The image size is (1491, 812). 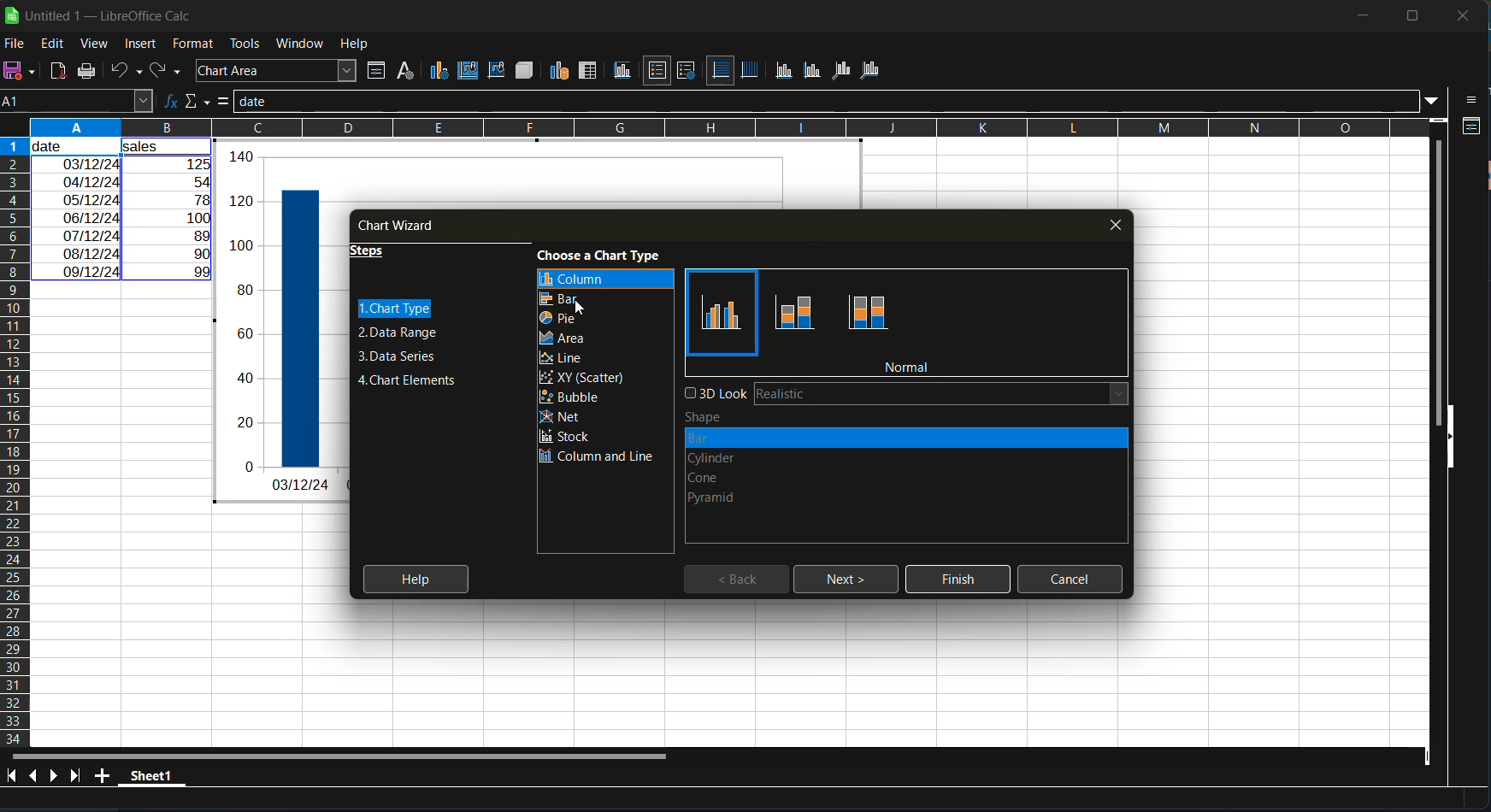 What do you see at coordinates (122, 210) in the screenshot?
I see `selected range` at bounding box center [122, 210].